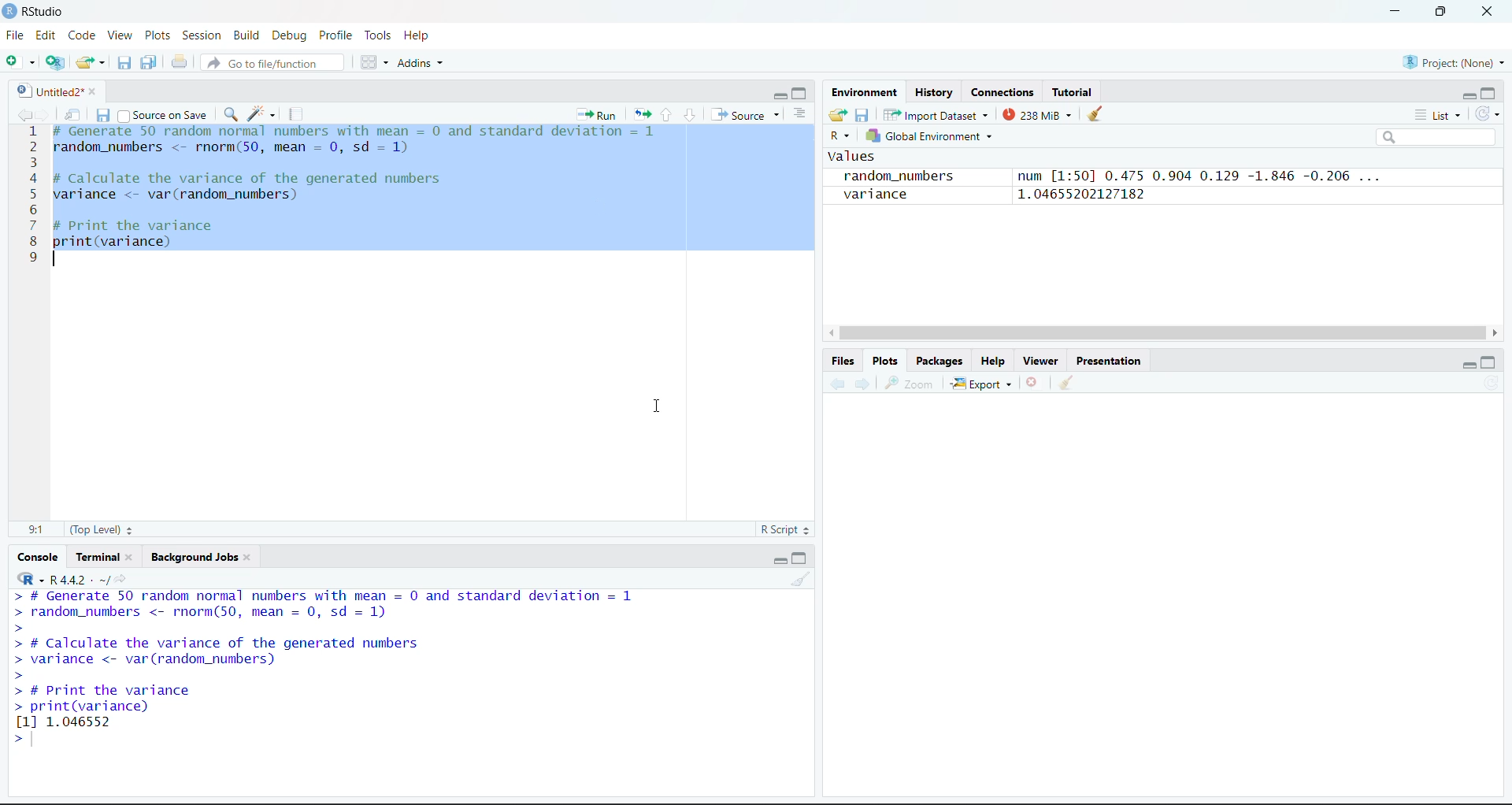  I want to click on new file, so click(20, 61).